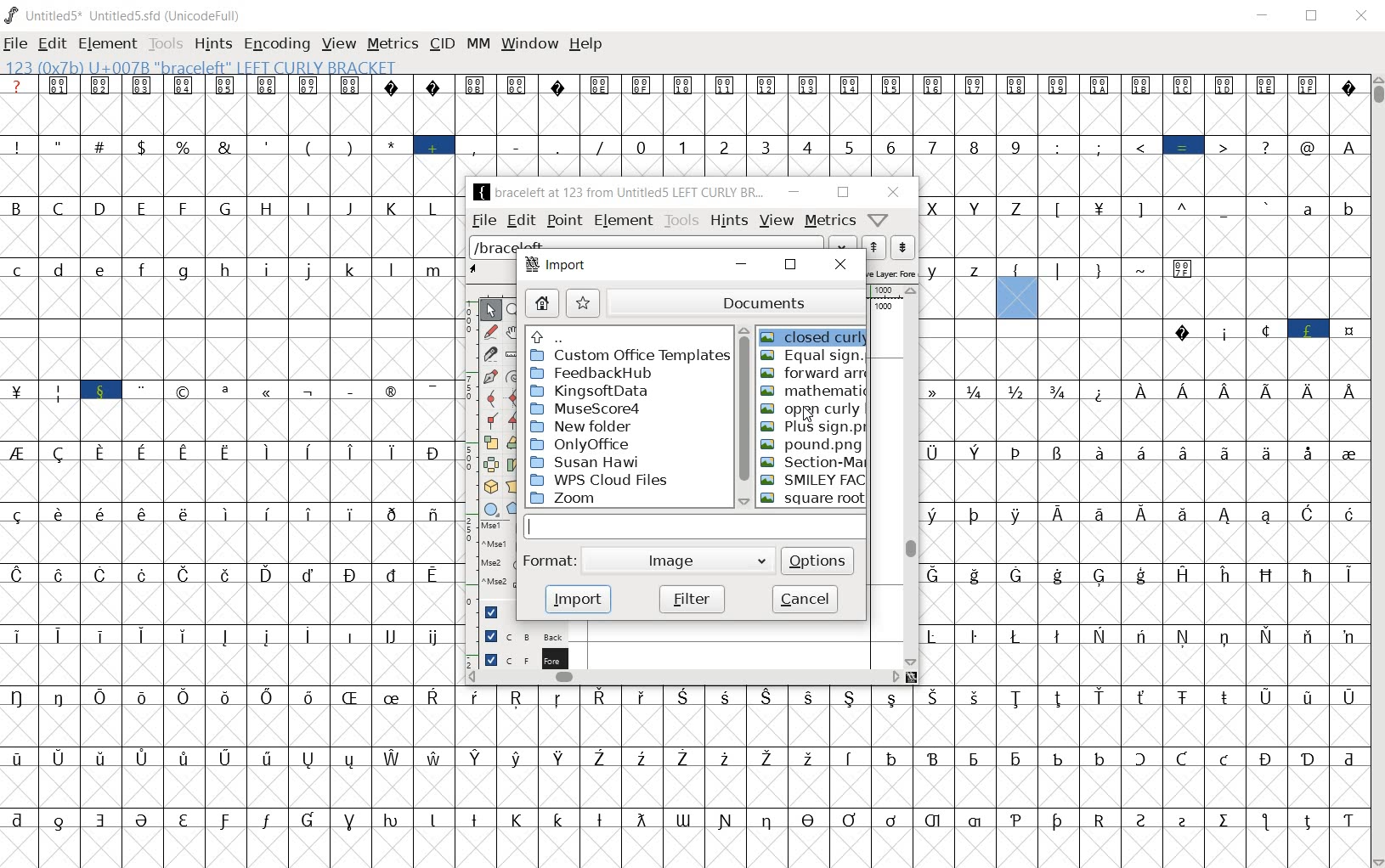  I want to click on Kingsoftdata, so click(591, 390).